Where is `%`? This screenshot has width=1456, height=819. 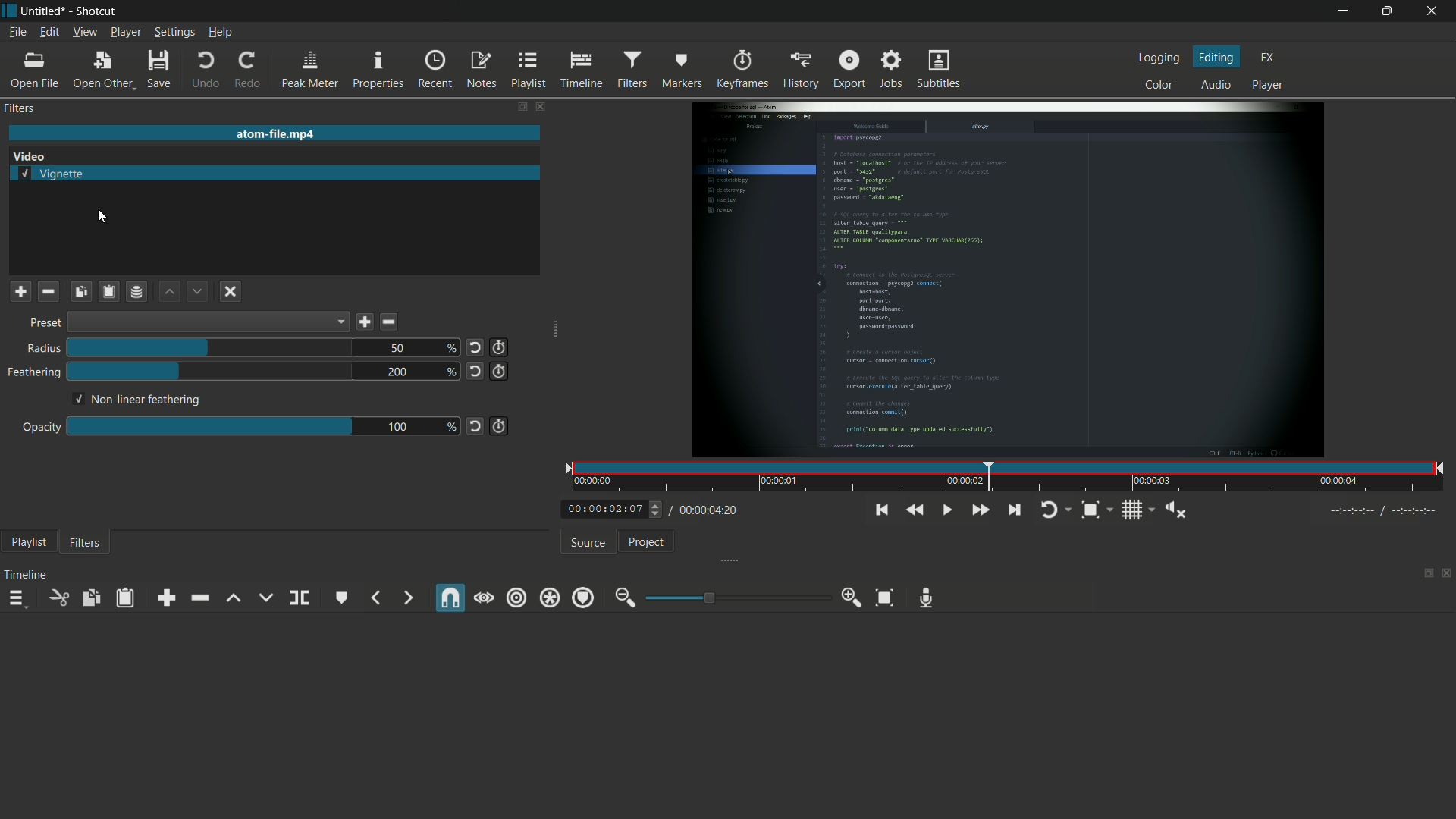 % is located at coordinates (451, 428).